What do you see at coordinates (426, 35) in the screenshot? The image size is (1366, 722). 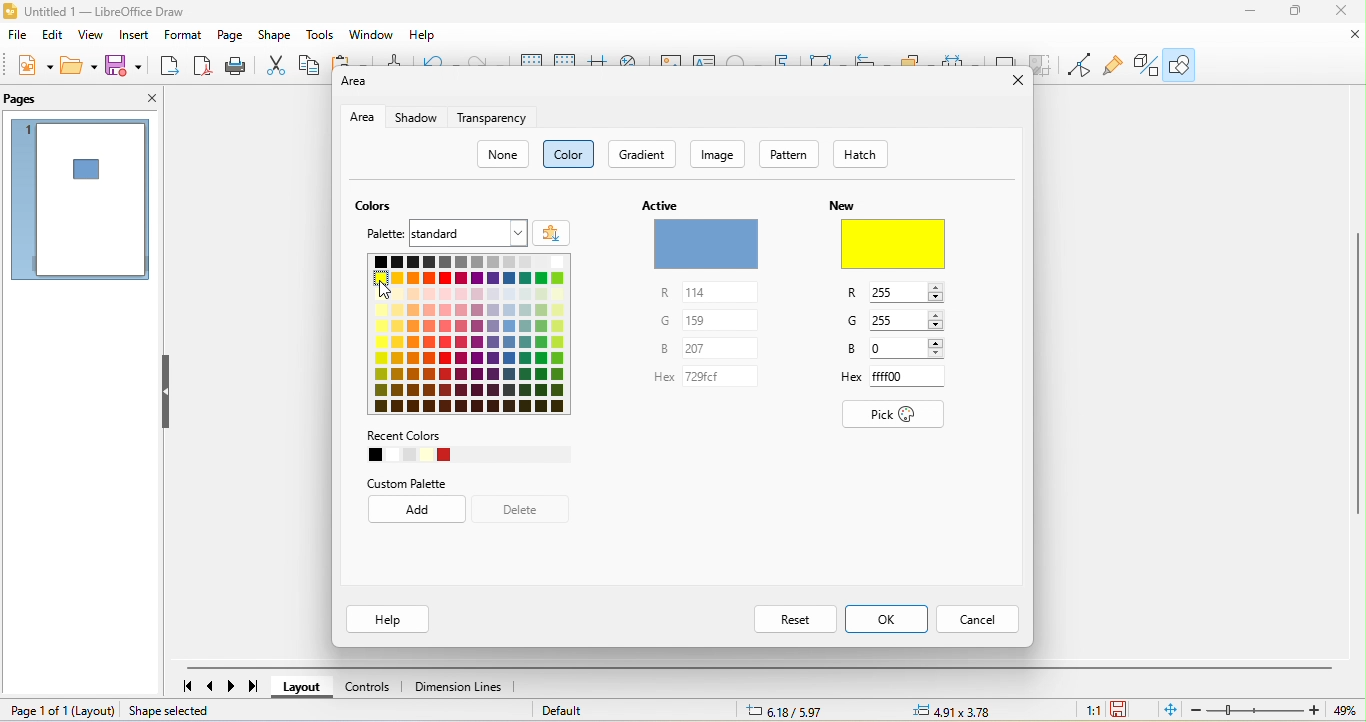 I see `help` at bounding box center [426, 35].